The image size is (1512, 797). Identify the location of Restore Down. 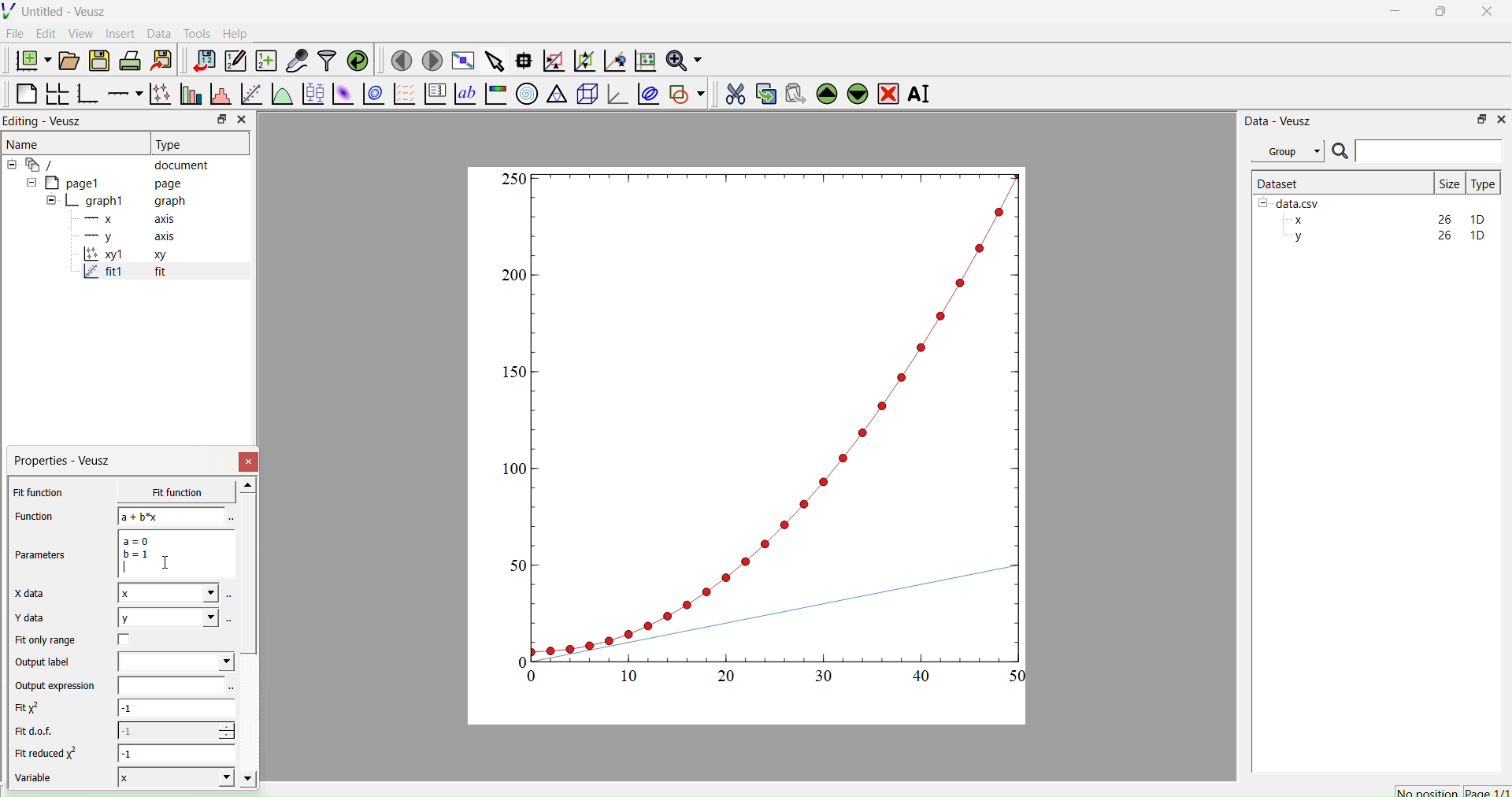
(1477, 118).